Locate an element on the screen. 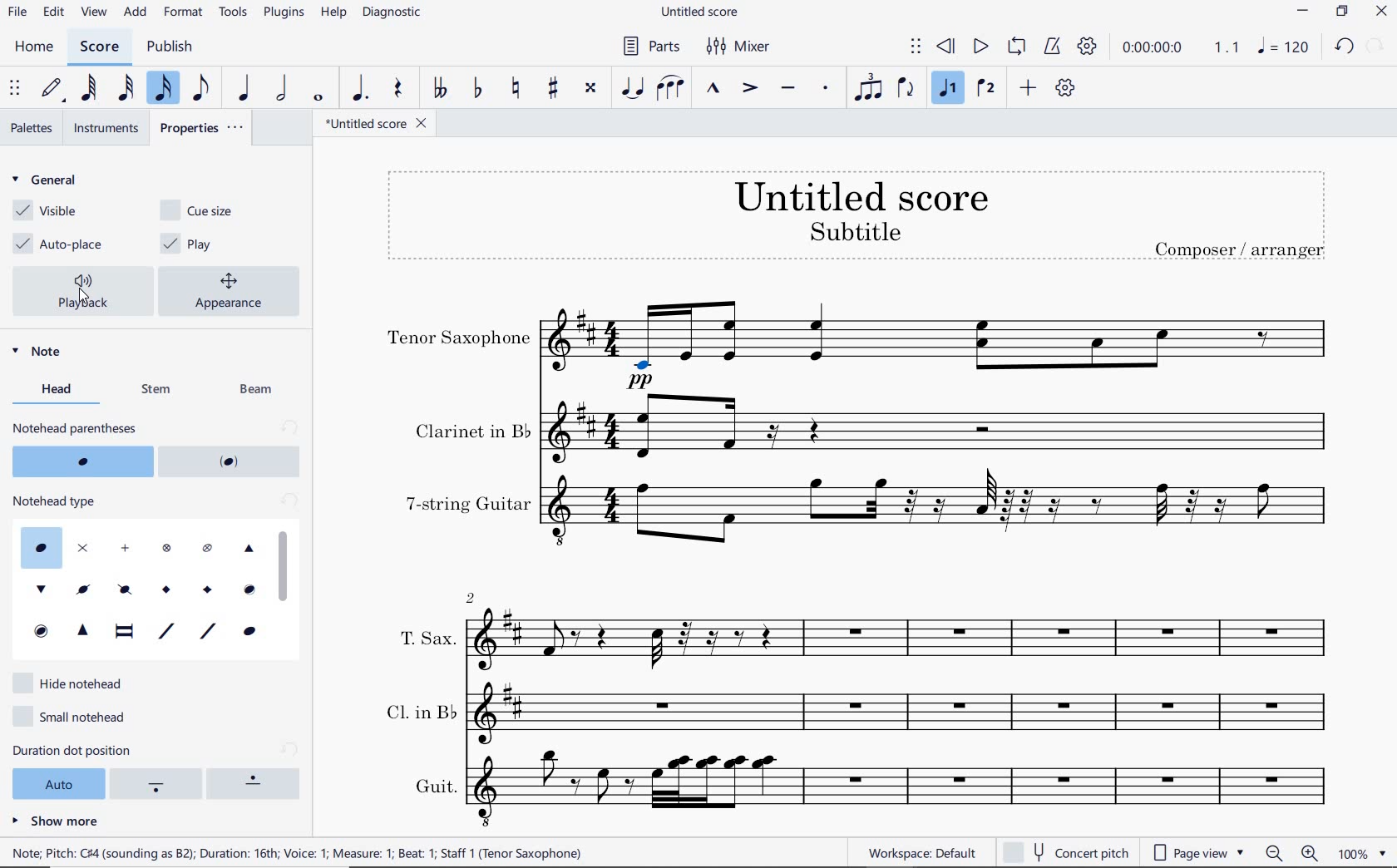 This screenshot has width=1397, height=868. Tenor Saxophone is located at coordinates (942, 345).